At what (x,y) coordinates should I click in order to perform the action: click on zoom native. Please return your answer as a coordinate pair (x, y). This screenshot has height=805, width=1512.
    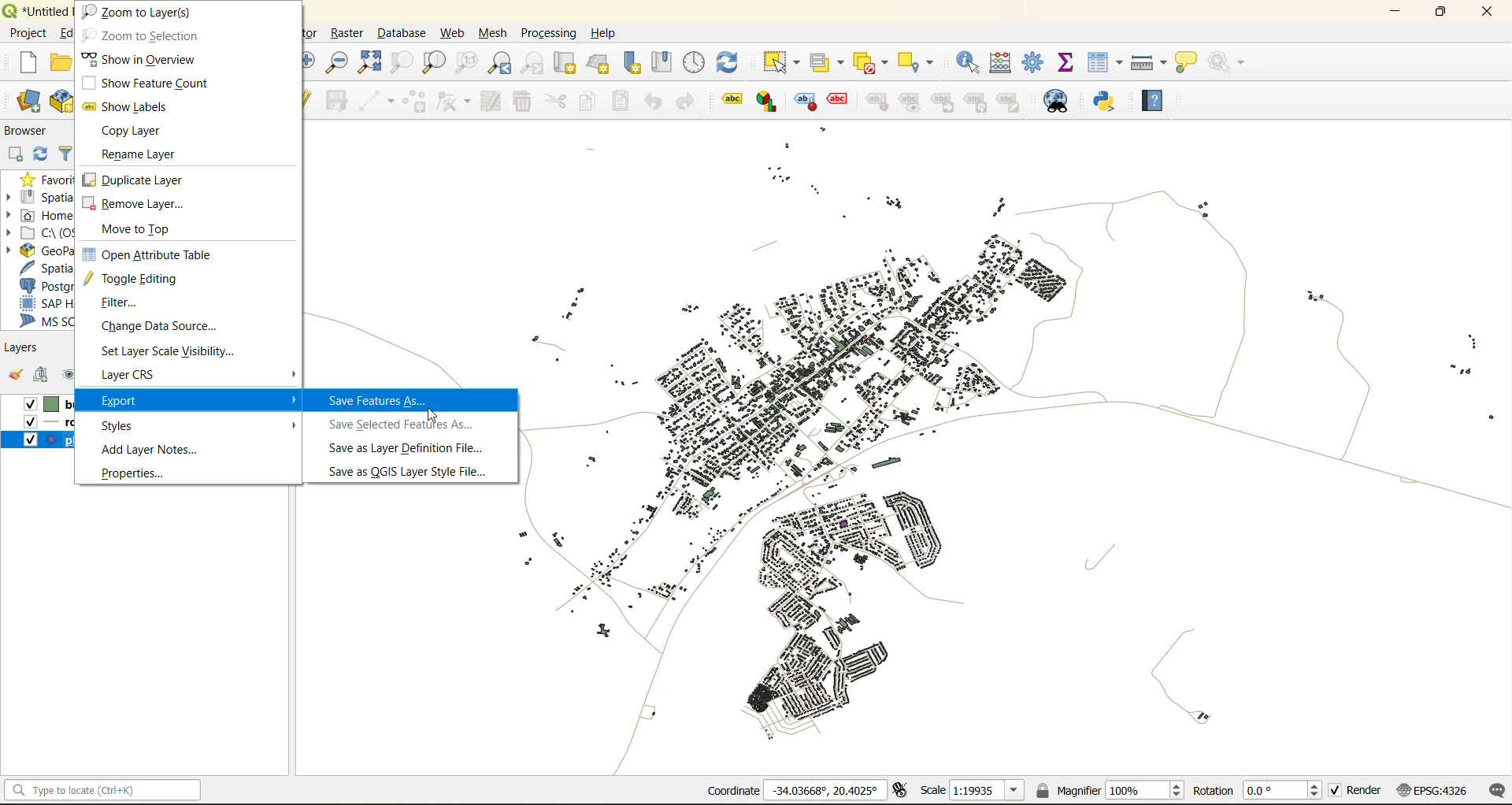
    Looking at the image, I should click on (471, 63).